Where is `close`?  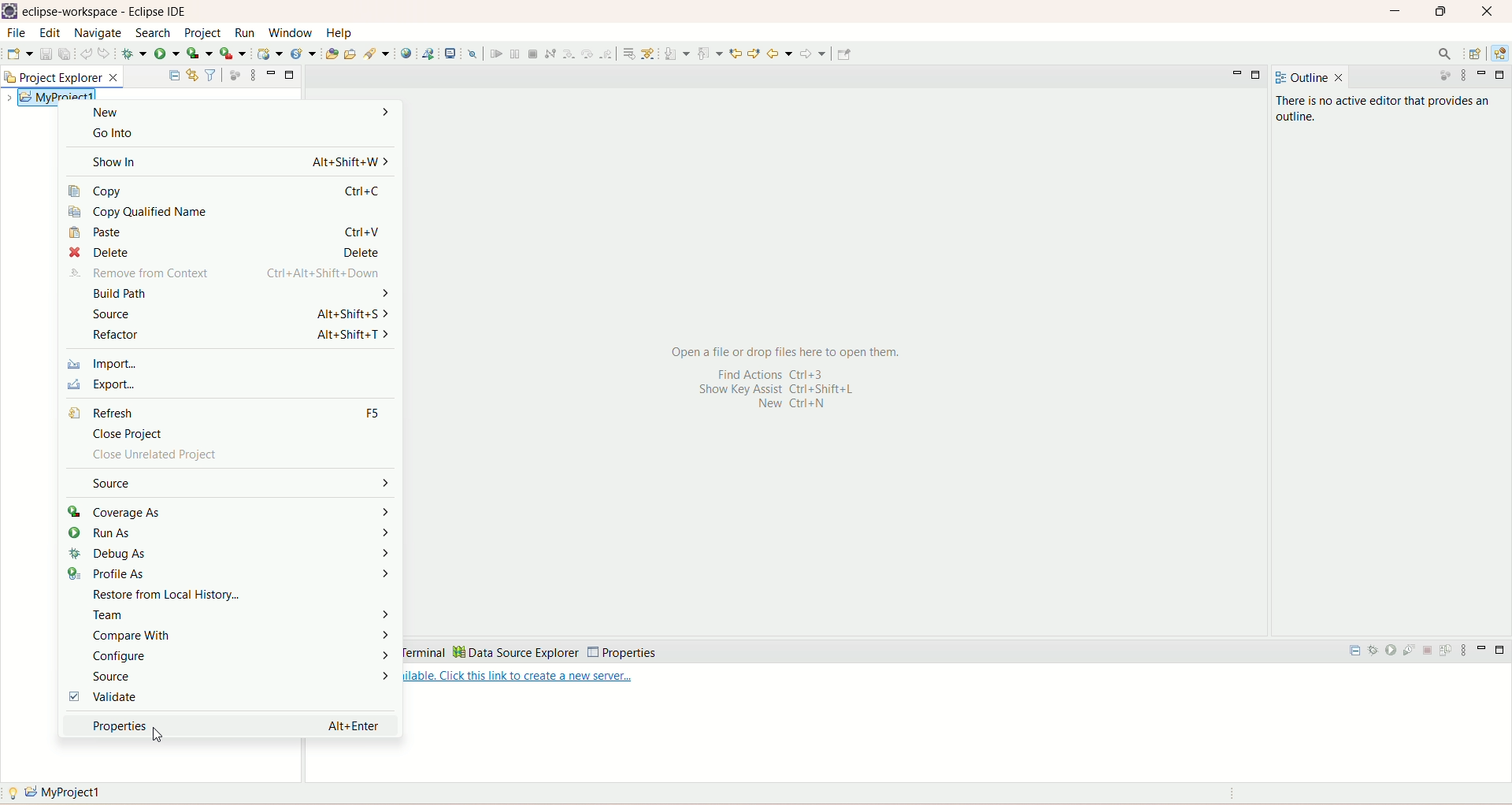
close is located at coordinates (1488, 12).